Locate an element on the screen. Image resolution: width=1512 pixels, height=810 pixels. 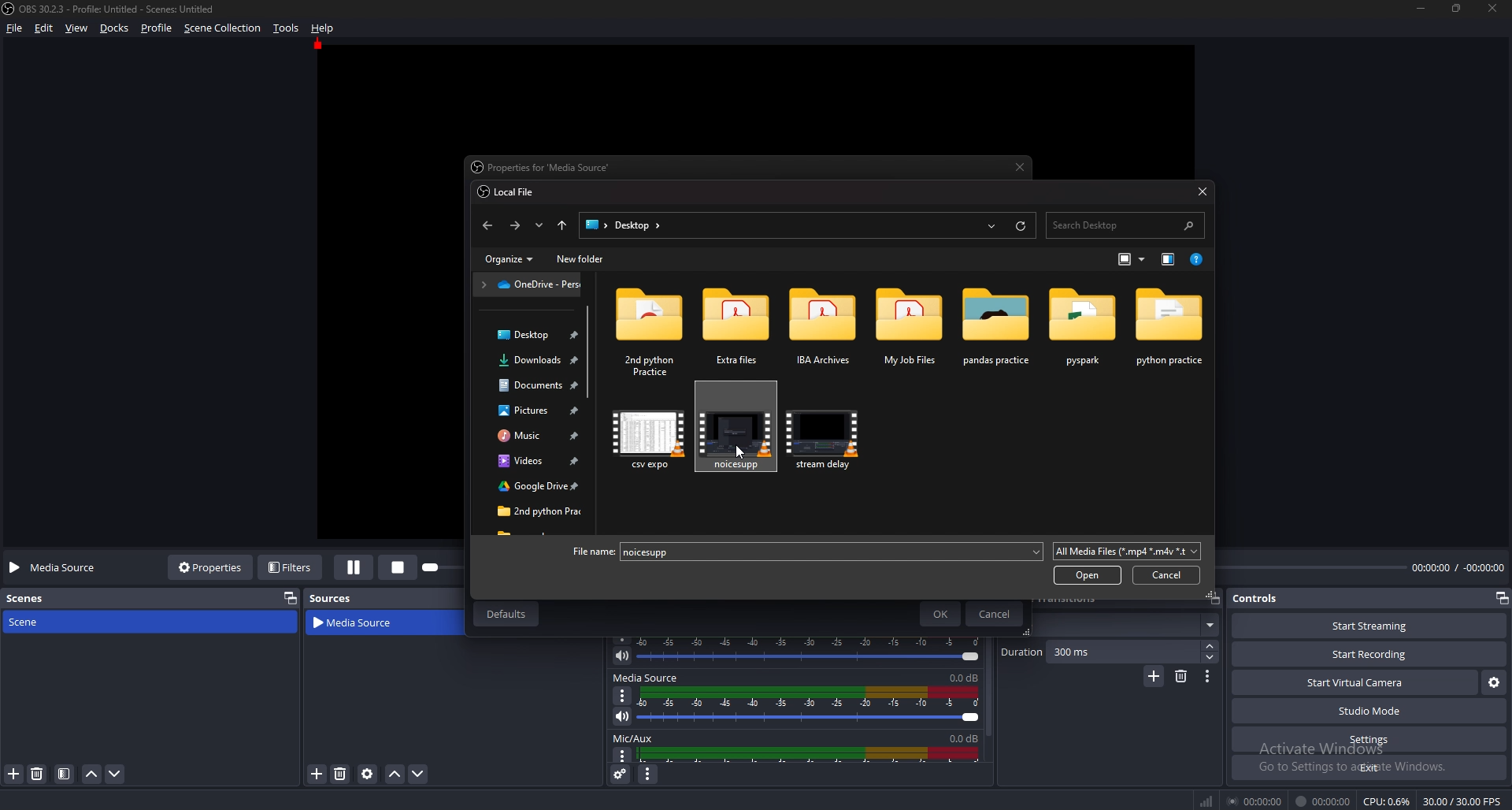
media source is located at coordinates (646, 678).